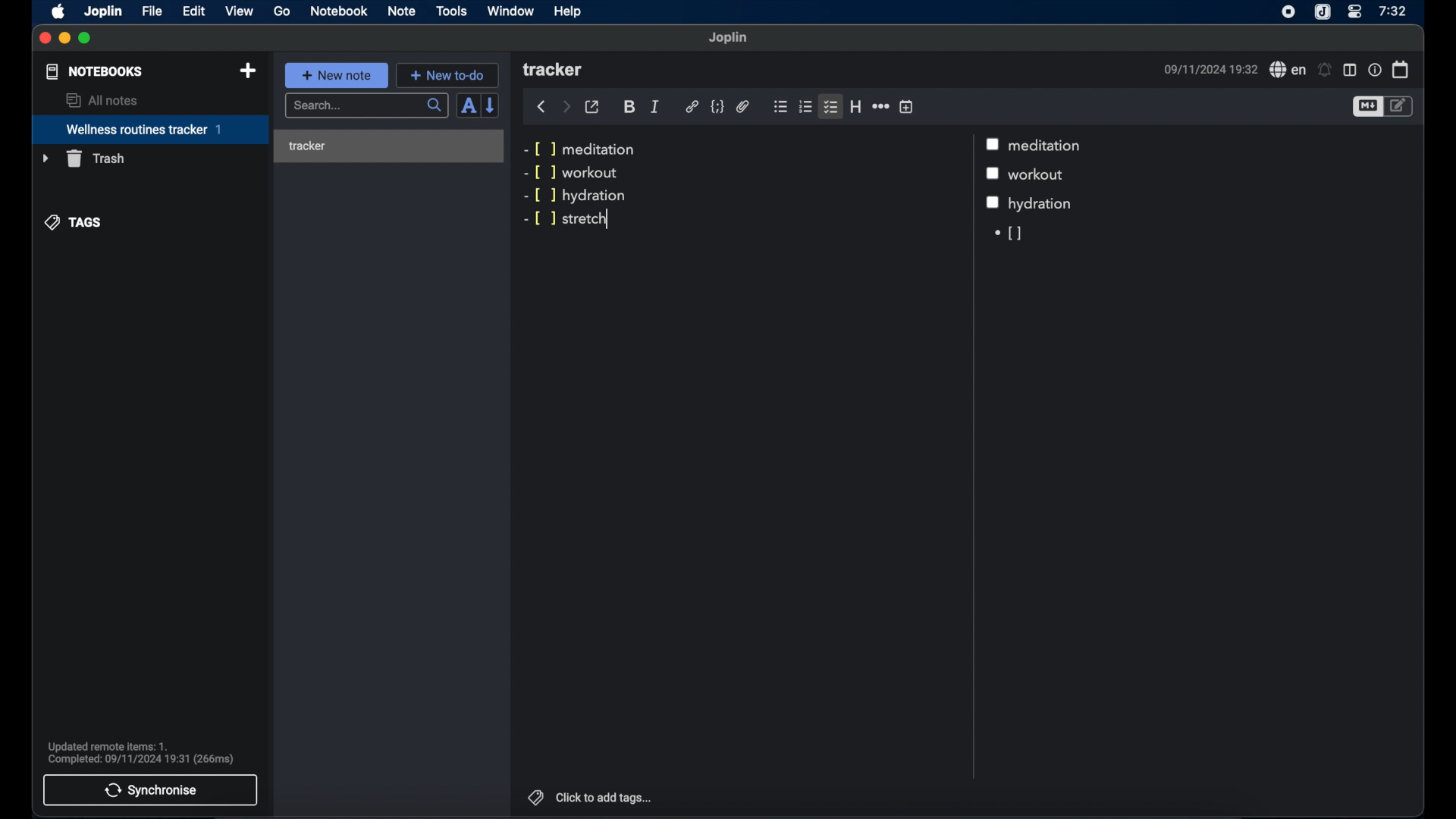 The image size is (1456, 819). Describe the element at coordinates (592, 106) in the screenshot. I see `toggle external editor` at that location.